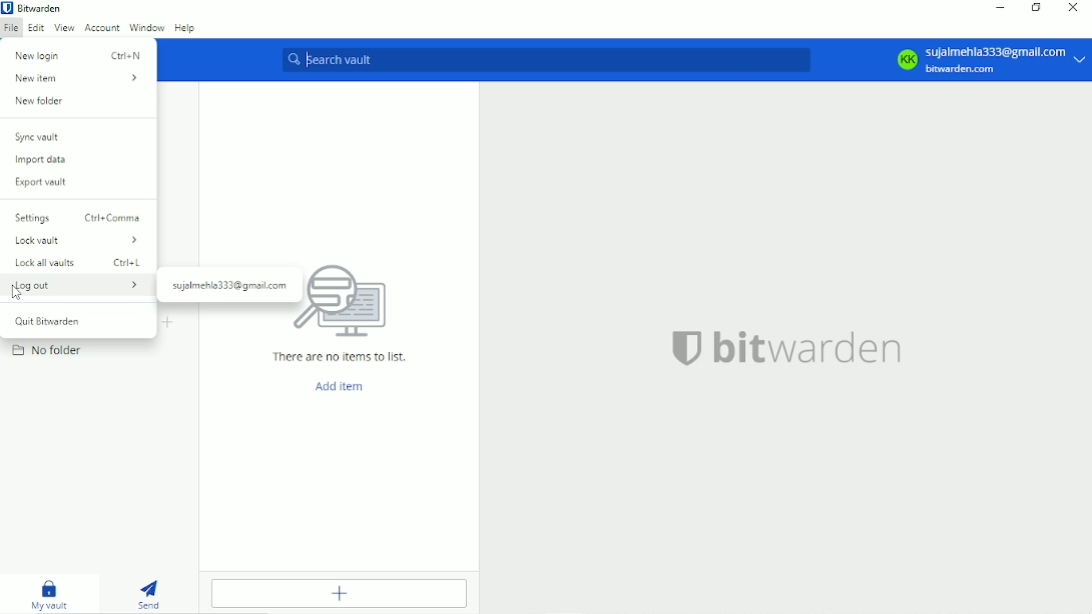 The width and height of the screenshot is (1092, 614). I want to click on Add item, so click(342, 387).